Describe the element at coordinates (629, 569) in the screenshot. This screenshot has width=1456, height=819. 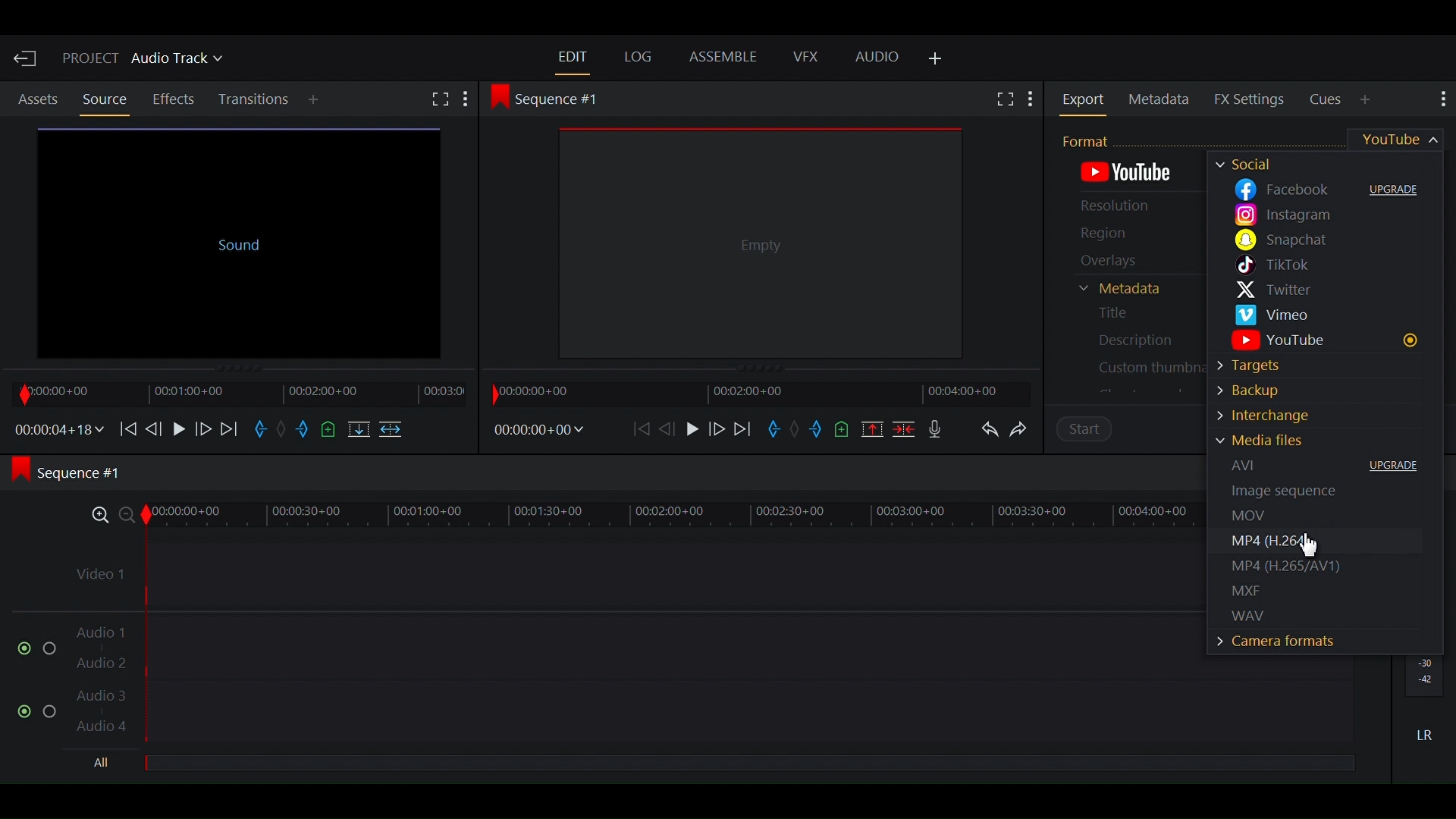
I see `Video Track` at that location.